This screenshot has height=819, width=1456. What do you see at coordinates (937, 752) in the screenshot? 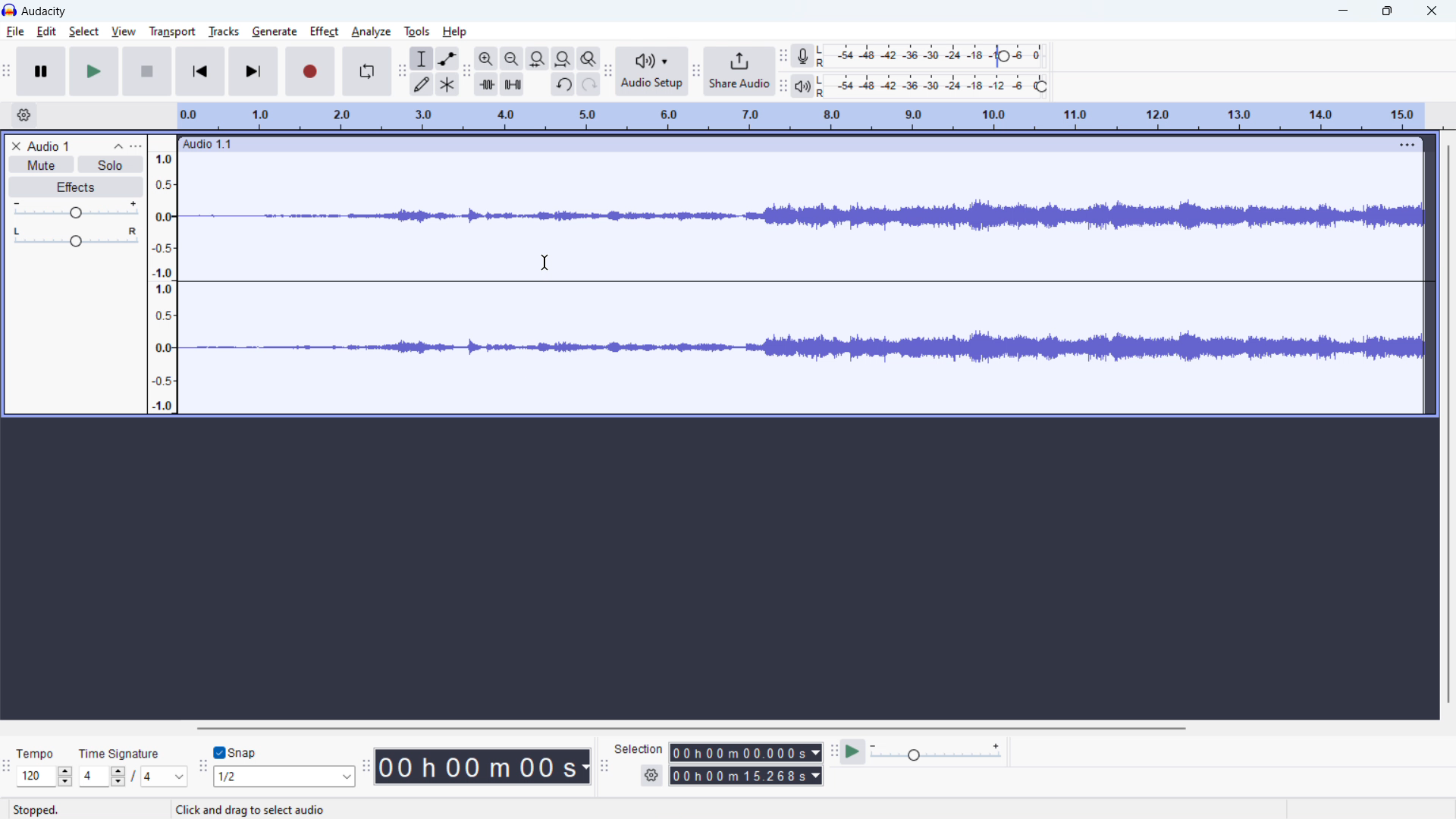
I see `playback meter` at bounding box center [937, 752].